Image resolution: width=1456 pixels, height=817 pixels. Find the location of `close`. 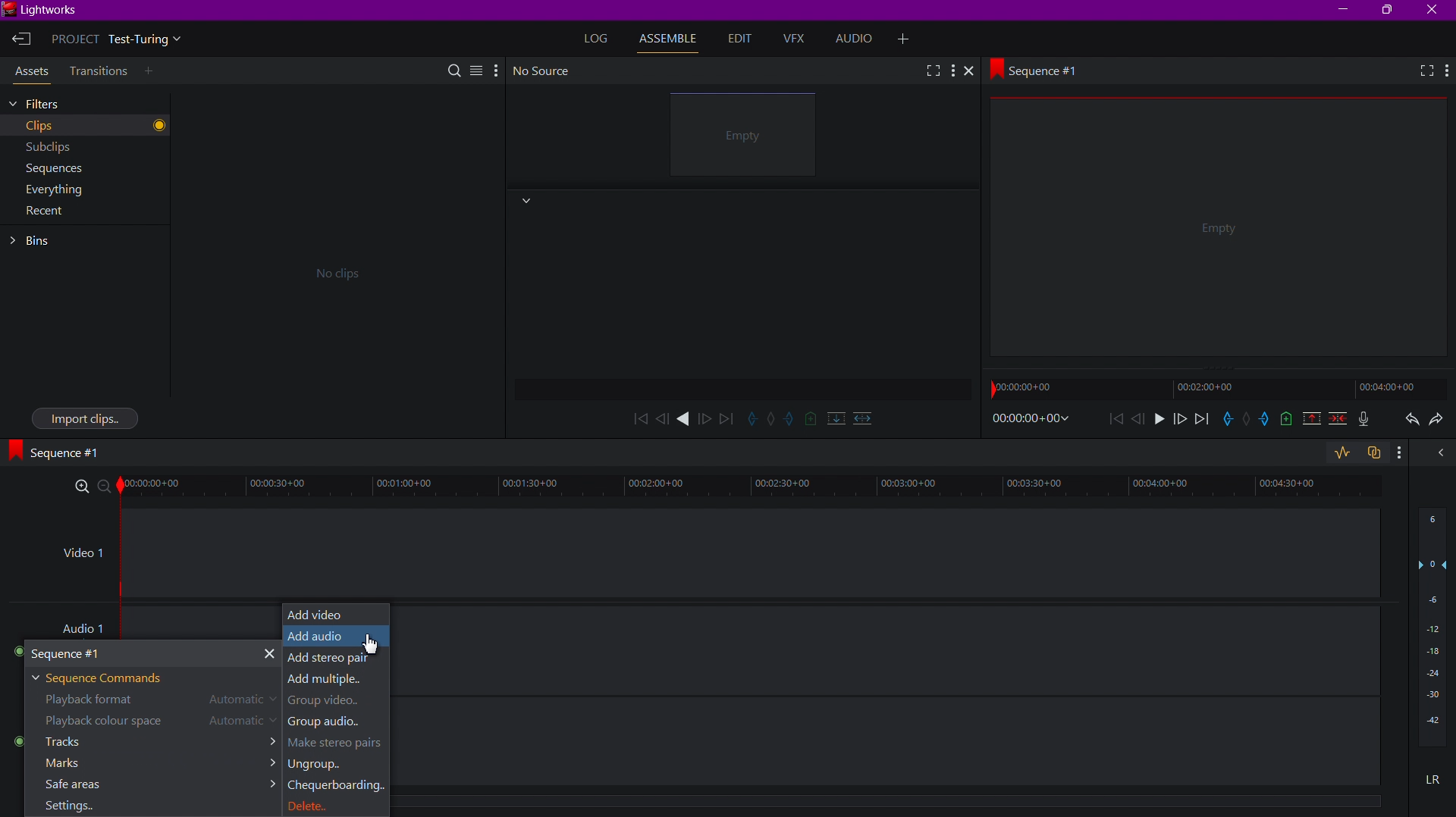

close is located at coordinates (1437, 458).